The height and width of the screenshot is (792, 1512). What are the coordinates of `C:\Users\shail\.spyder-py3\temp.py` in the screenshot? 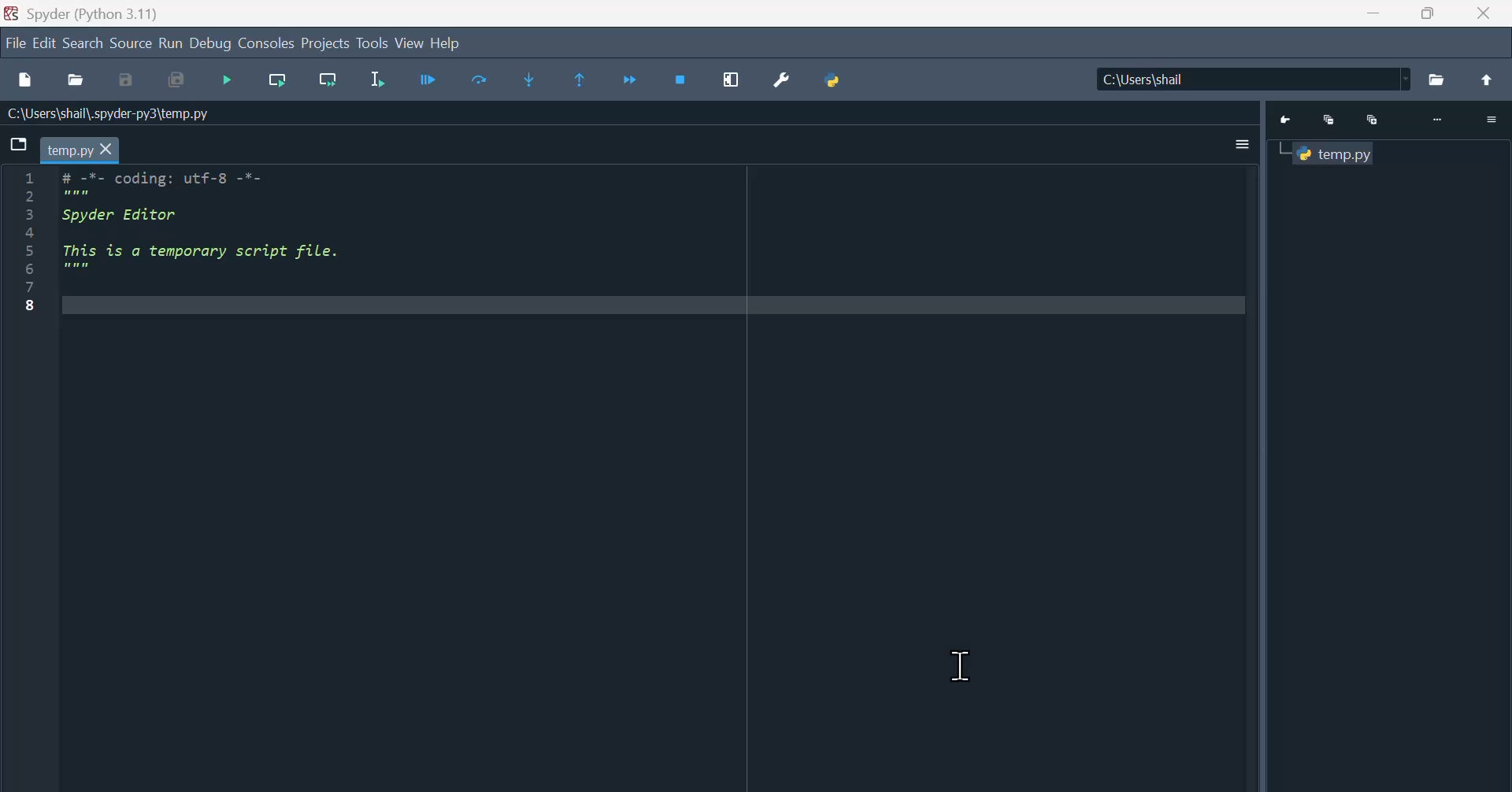 It's located at (109, 114).